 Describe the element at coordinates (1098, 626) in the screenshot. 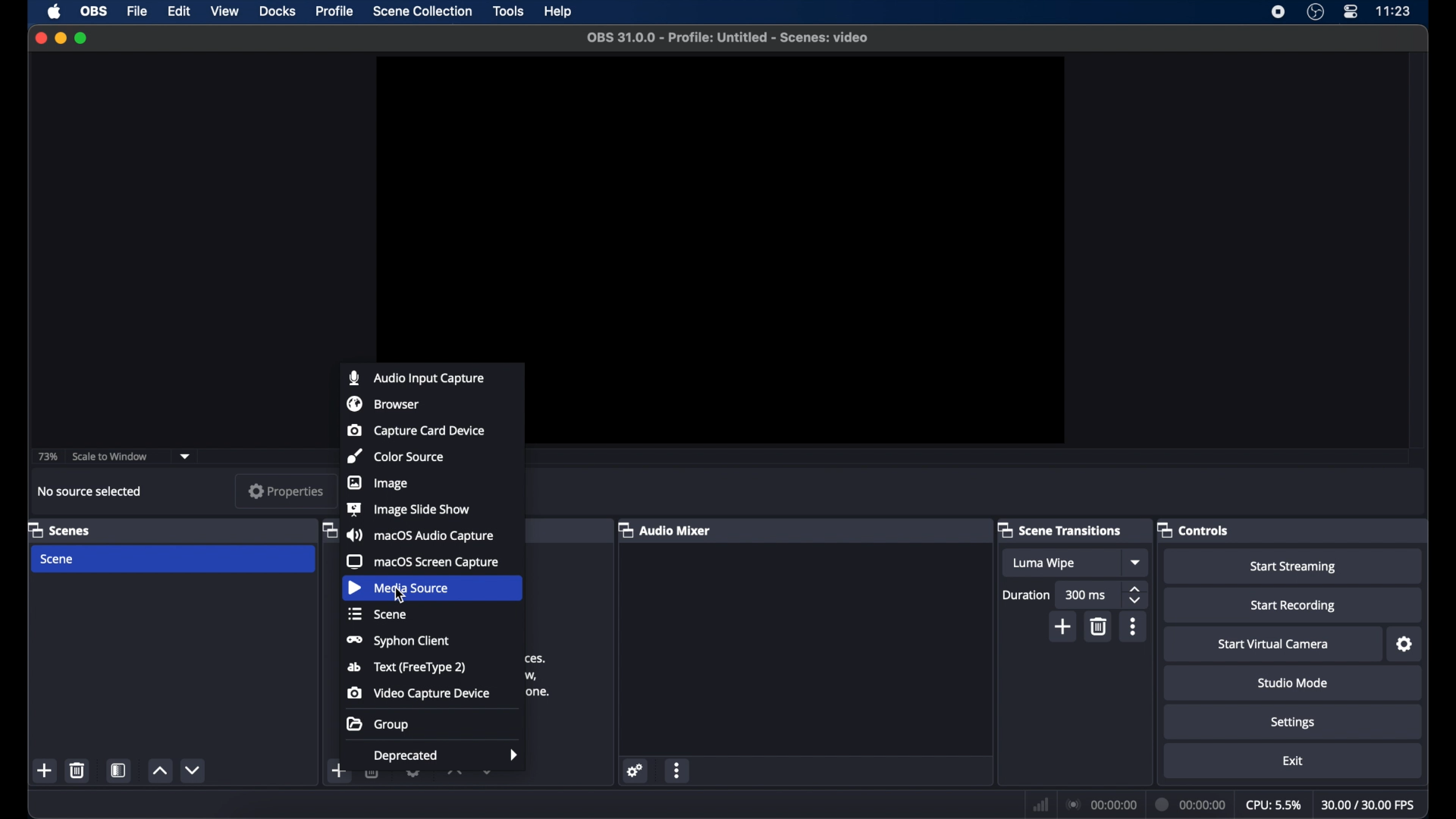

I see `delete` at that location.